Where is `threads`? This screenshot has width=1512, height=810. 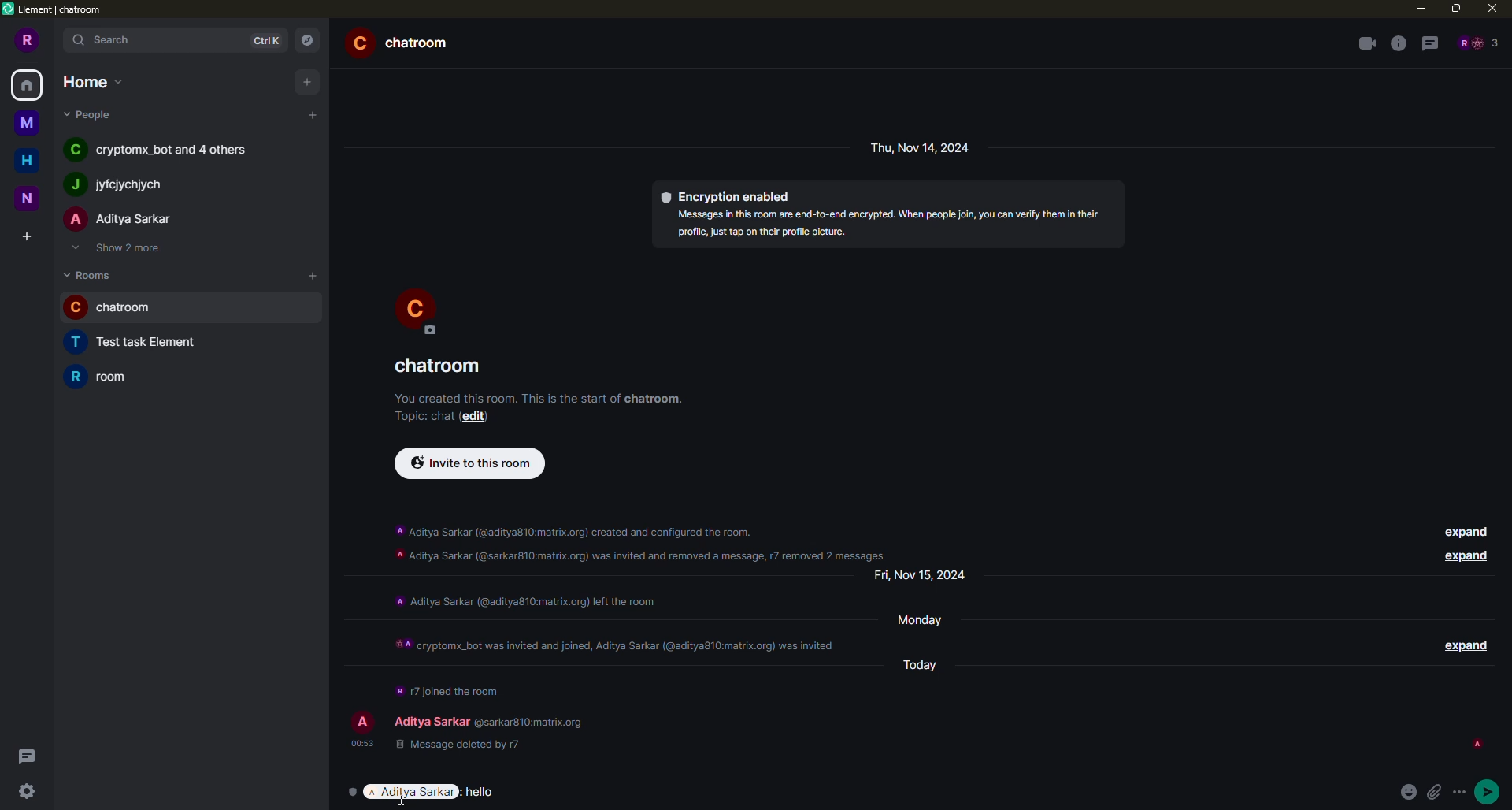
threads is located at coordinates (25, 756).